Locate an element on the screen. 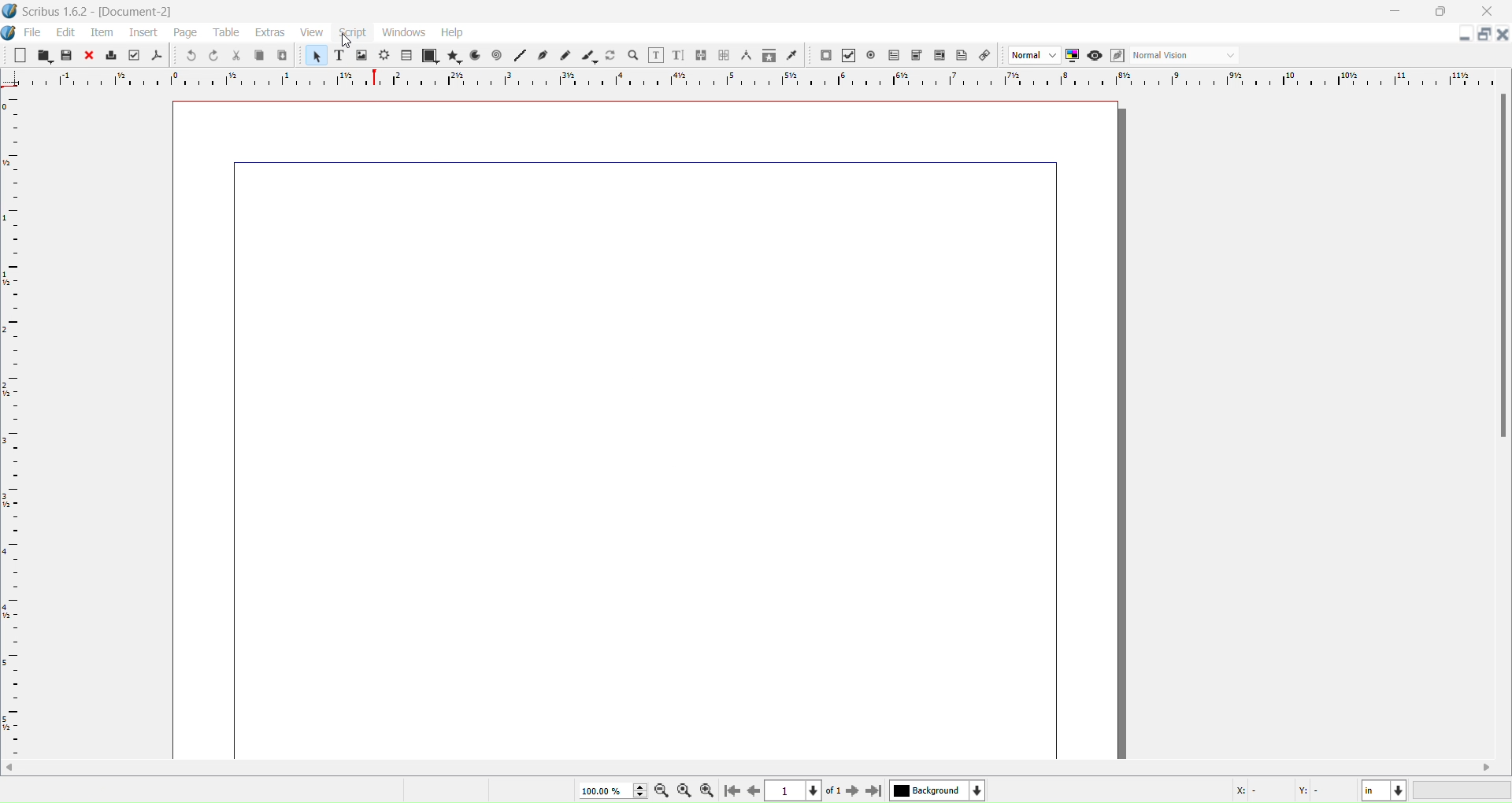 The height and width of the screenshot is (803, 1512). File is located at coordinates (34, 33).